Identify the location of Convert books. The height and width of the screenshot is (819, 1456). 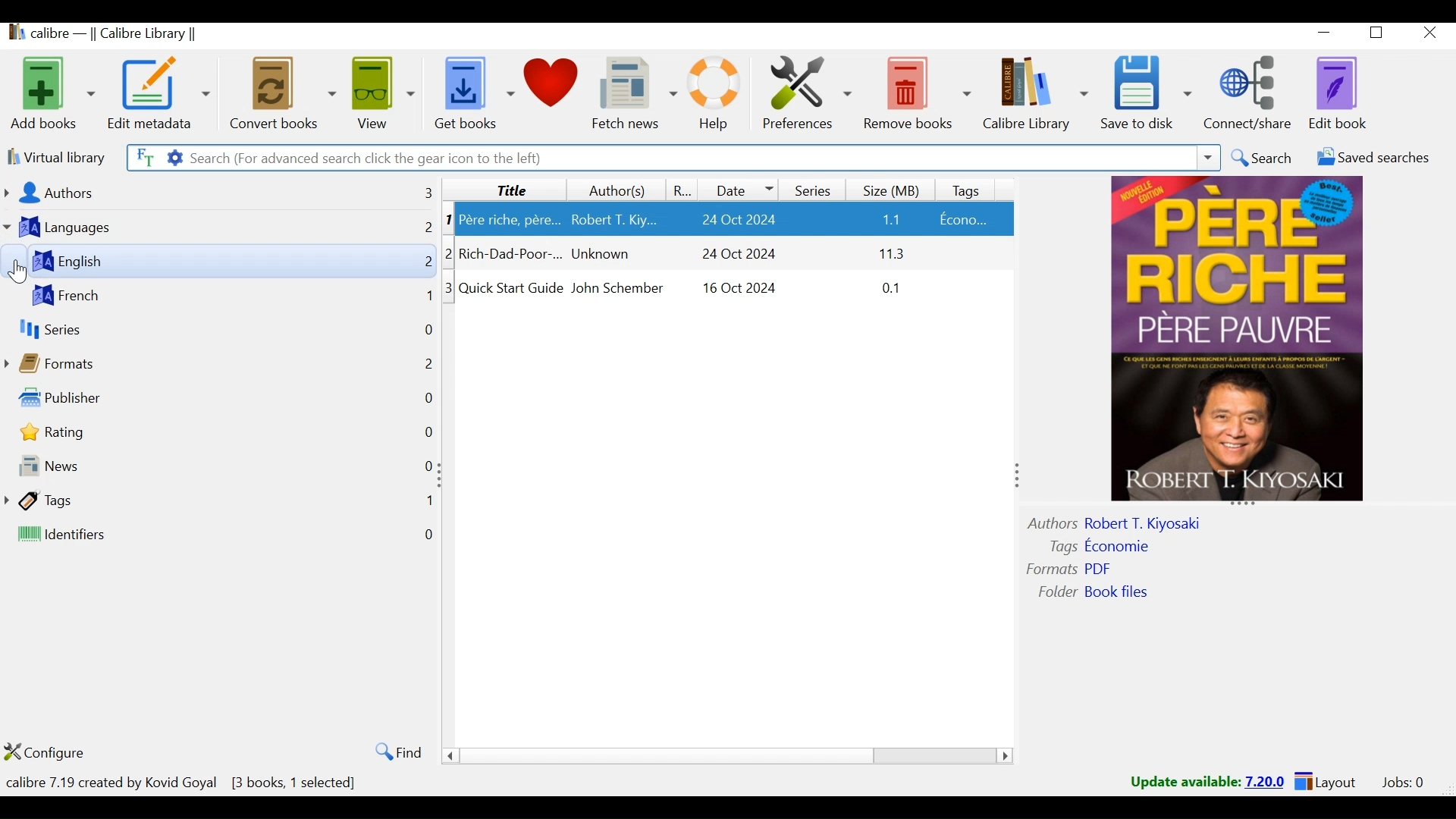
(281, 93).